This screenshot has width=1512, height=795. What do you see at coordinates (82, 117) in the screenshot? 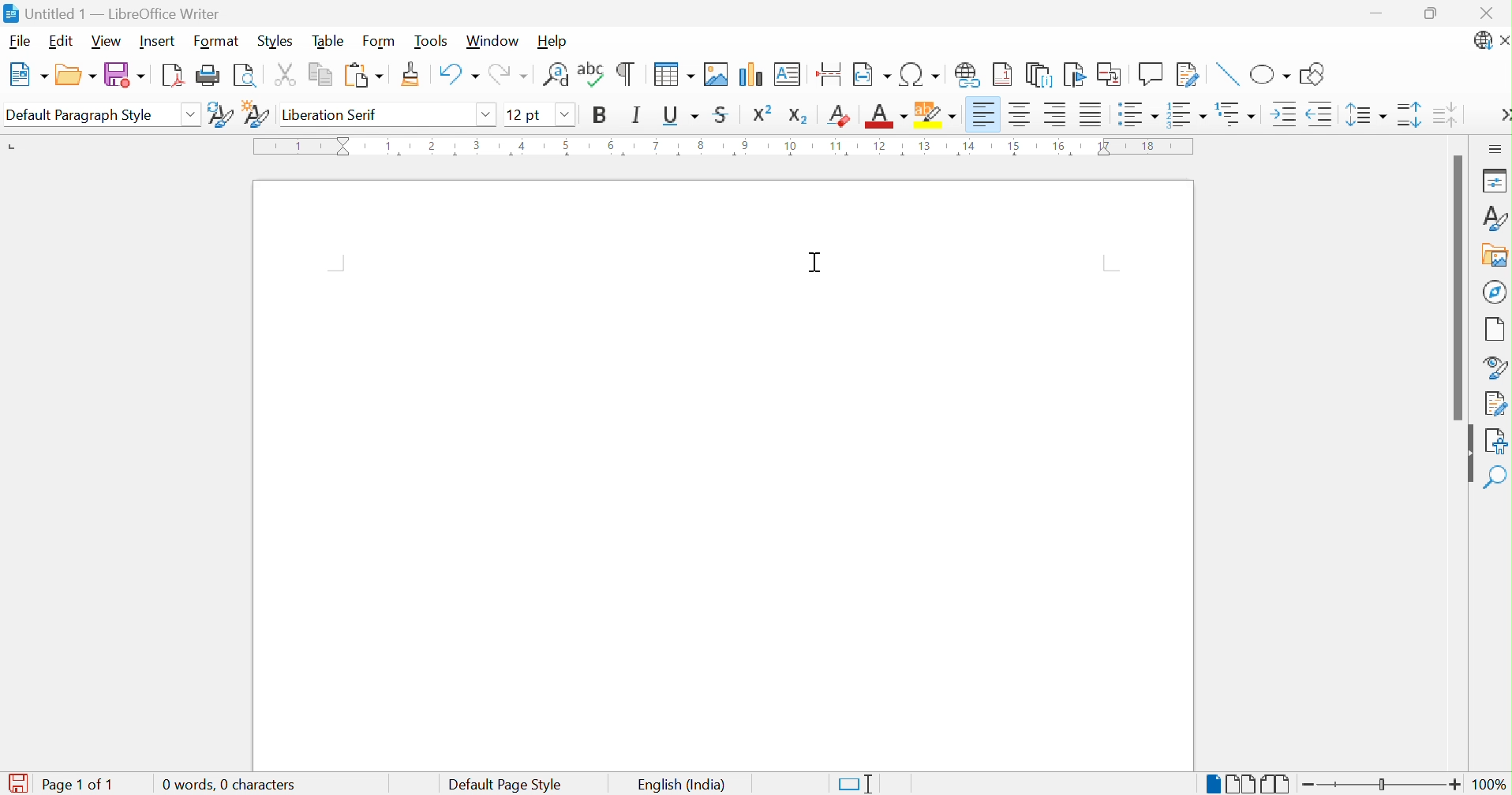
I see `Default paragraph style` at bounding box center [82, 117].